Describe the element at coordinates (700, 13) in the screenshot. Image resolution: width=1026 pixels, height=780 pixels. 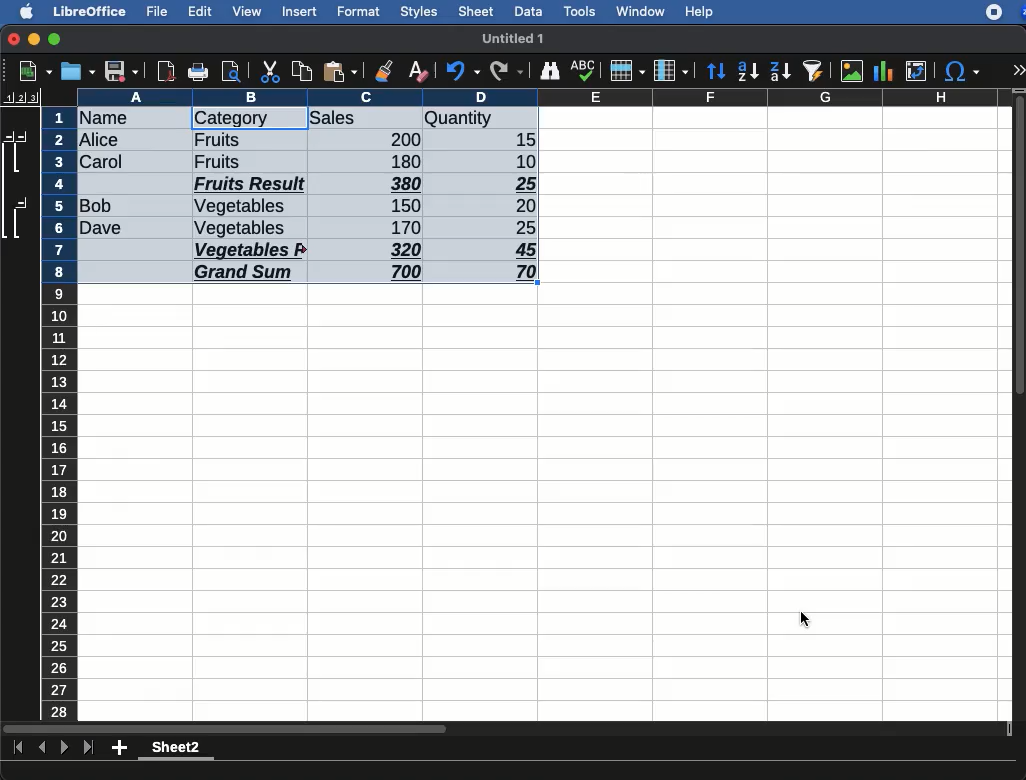
I see `help` at that location.